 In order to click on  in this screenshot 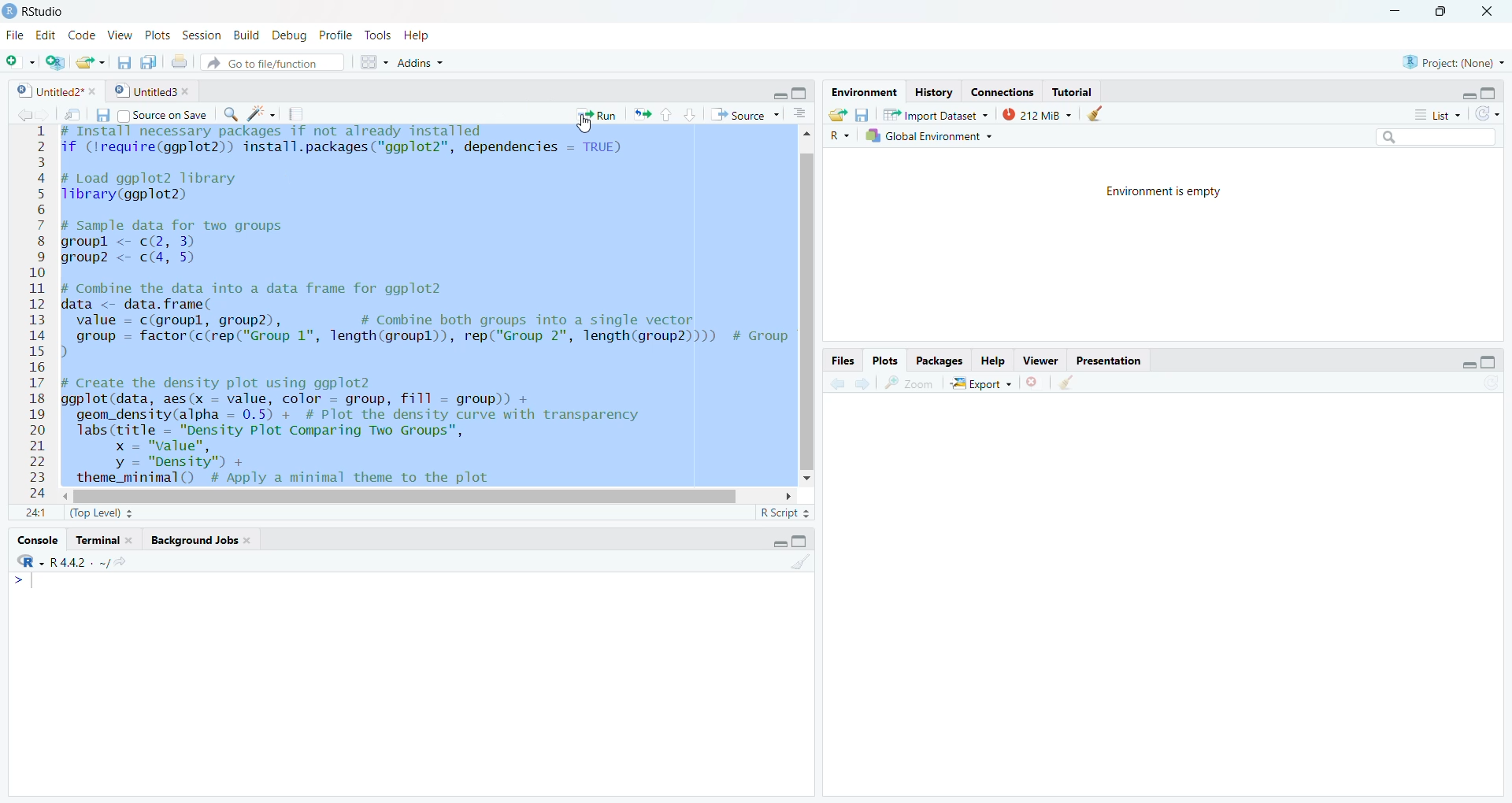, I will do `click(369, 61)`.